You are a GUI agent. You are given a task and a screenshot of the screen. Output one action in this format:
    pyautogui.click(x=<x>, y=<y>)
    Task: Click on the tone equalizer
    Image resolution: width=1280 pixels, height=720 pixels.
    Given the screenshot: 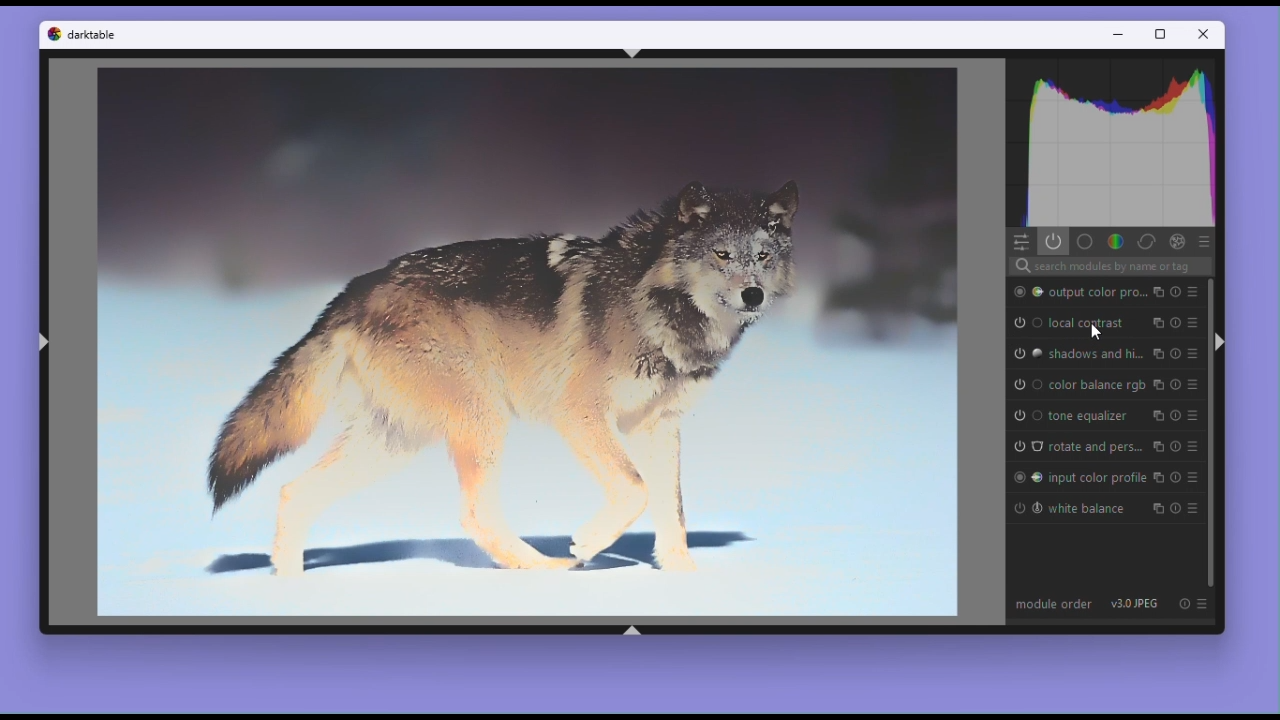 What is the action you would take?
    pyautogui.click(x=1094, y=416)
    